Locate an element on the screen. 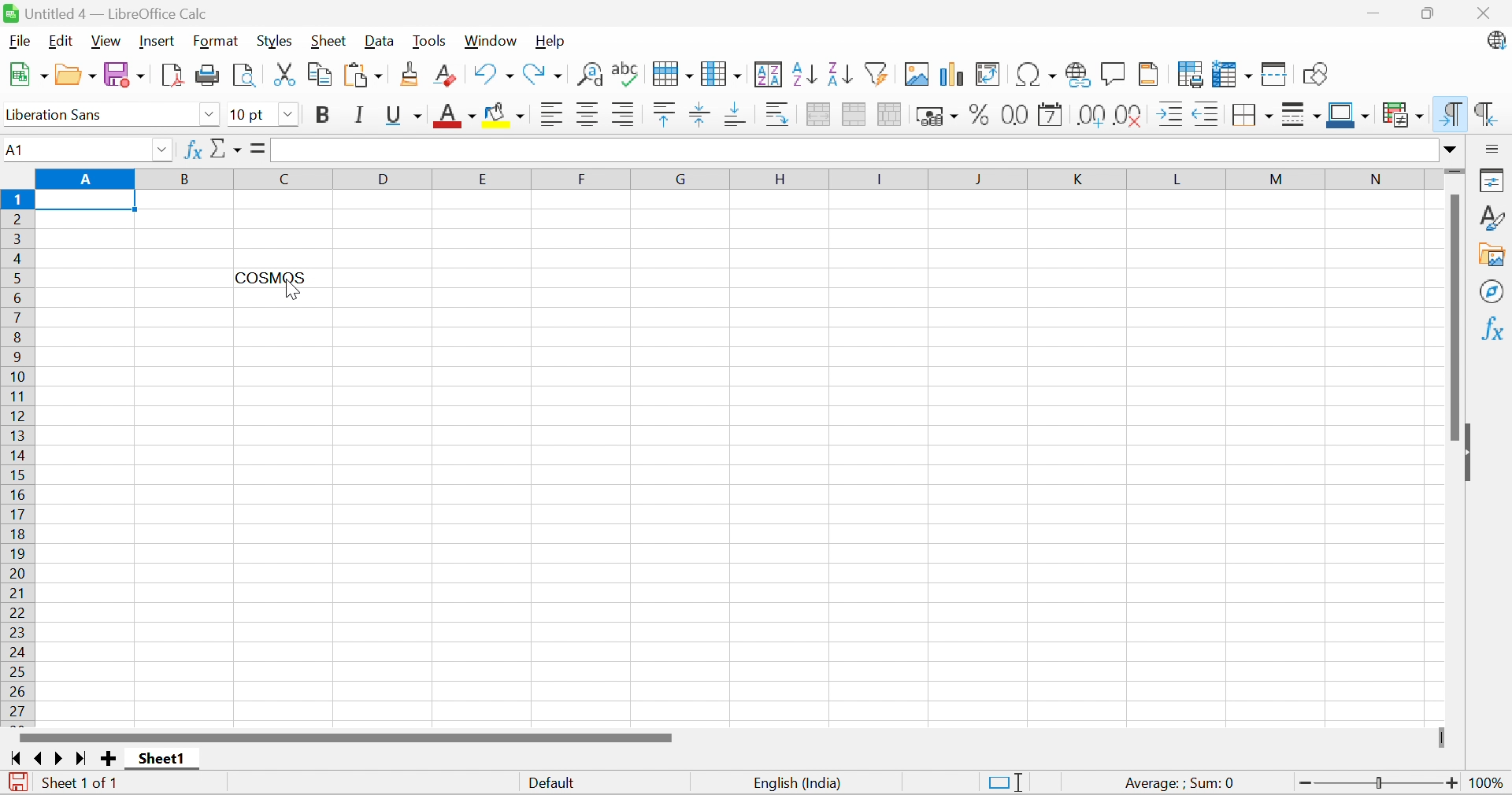 The height and width of the screenshot is (795, 1512). Bold is located at coordinates (321, 114).